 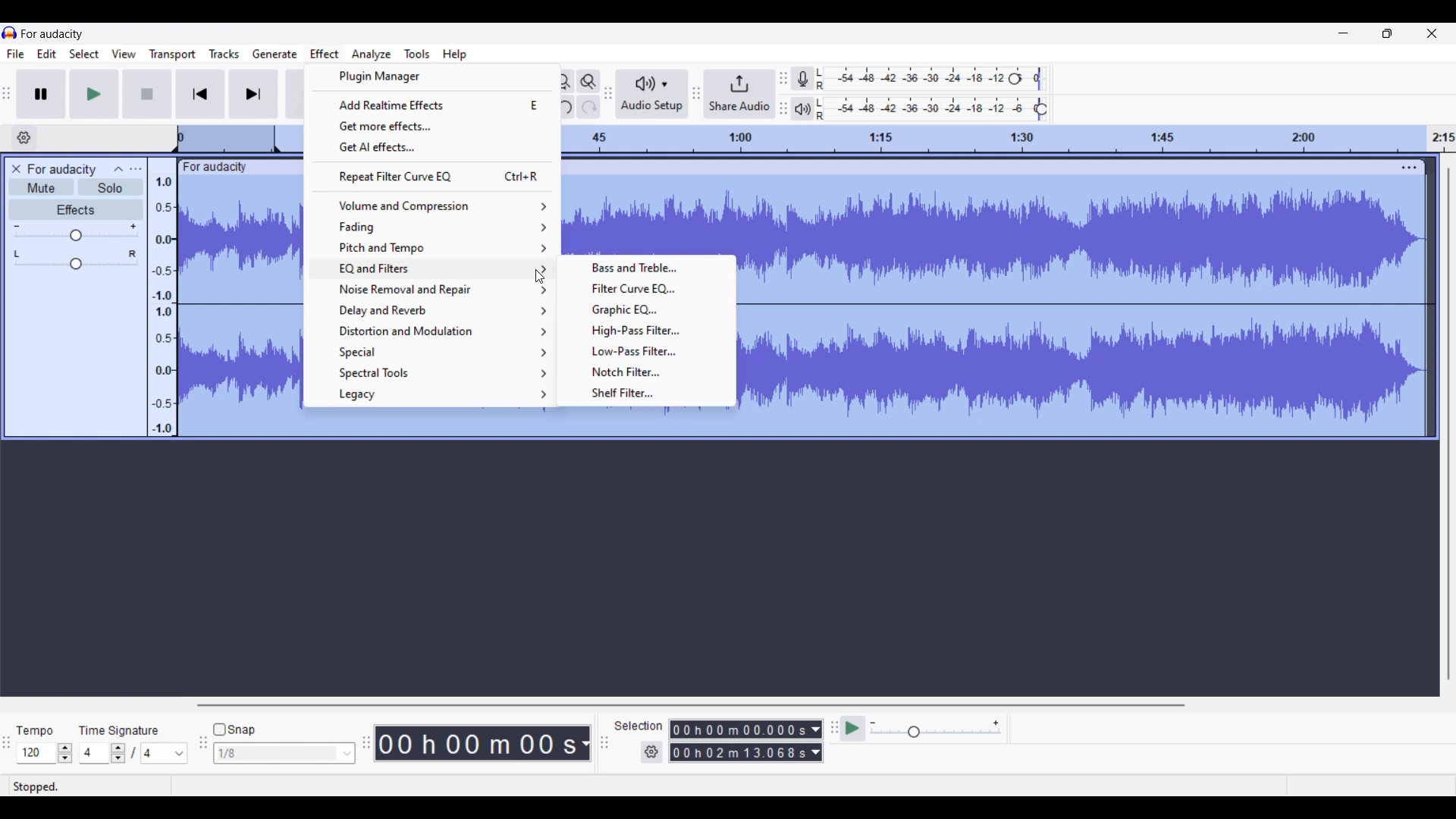 I want to click on Low pass filter, so click(x=648, y=351).